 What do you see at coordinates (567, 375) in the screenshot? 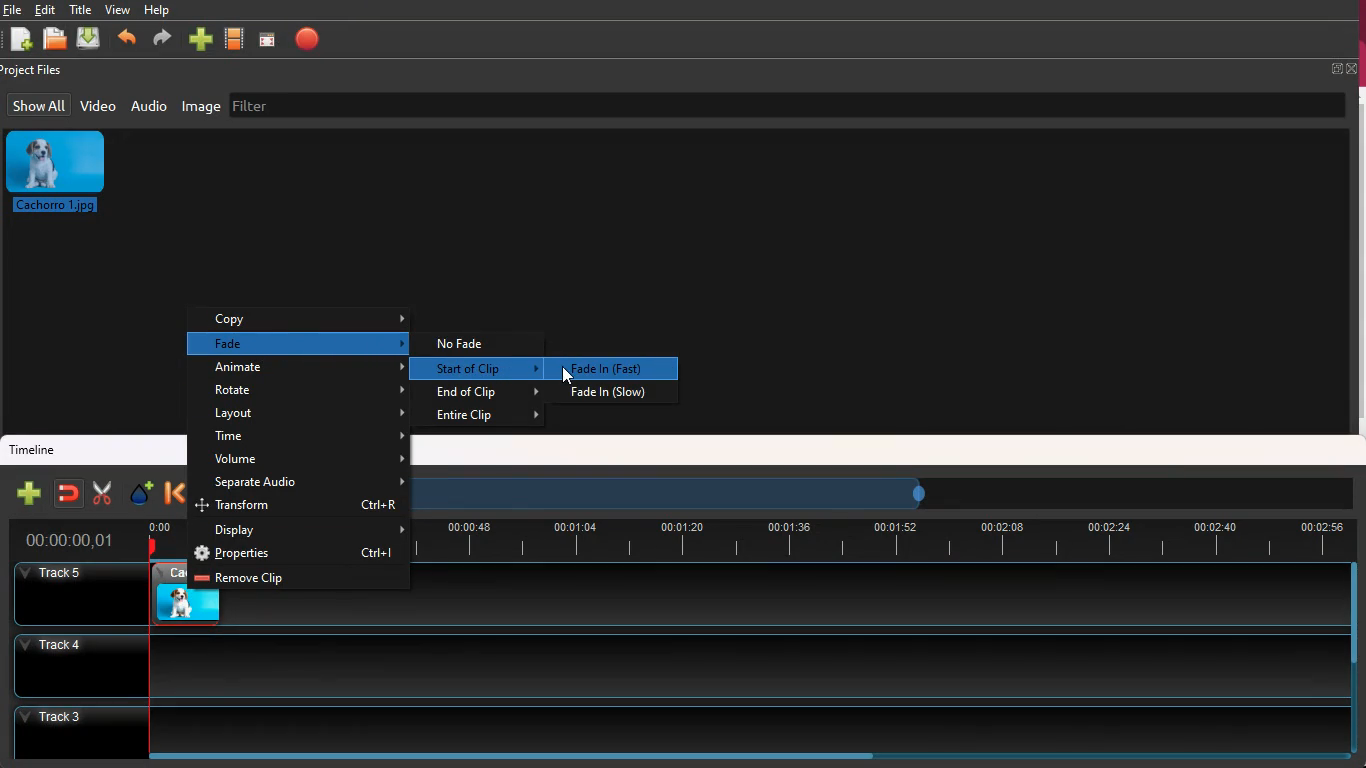
I see `cursor` at bounding box center [567, 375].